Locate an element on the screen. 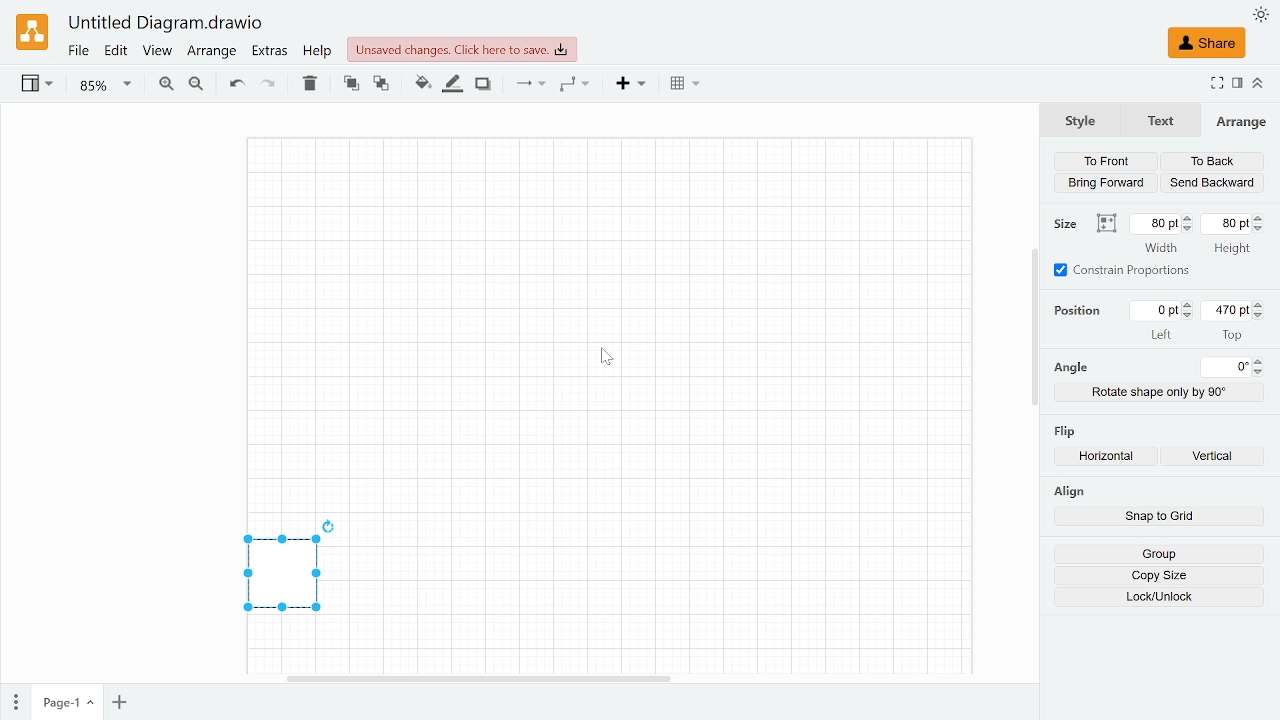 The width and height of the screenshot is (1280, 720). Send backwards is located at coordinates (1212, 183).